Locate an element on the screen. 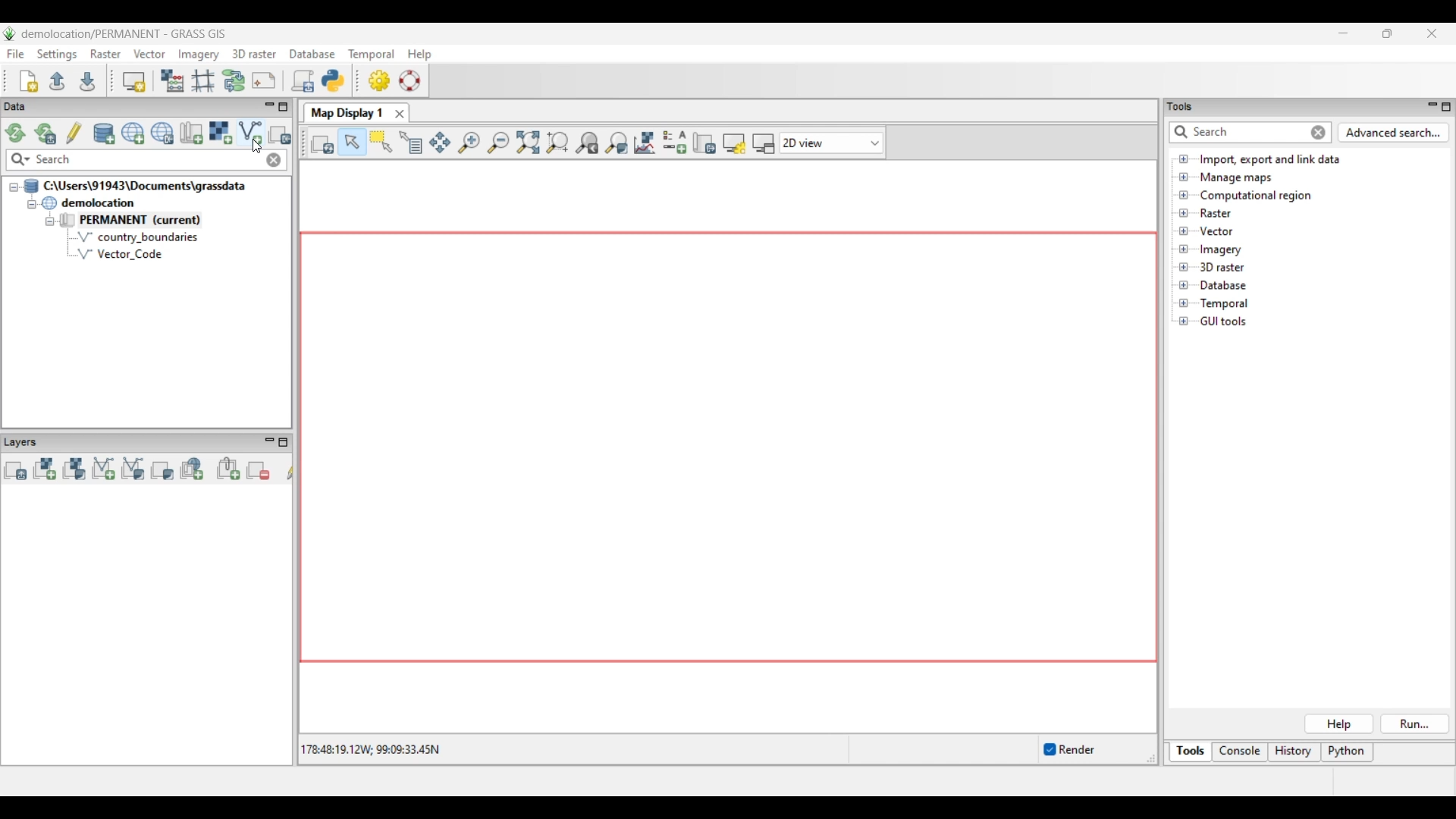 The width and height of the screenshot is (1456, 819). Tools, current selection is located at coordinates (1191, 752).